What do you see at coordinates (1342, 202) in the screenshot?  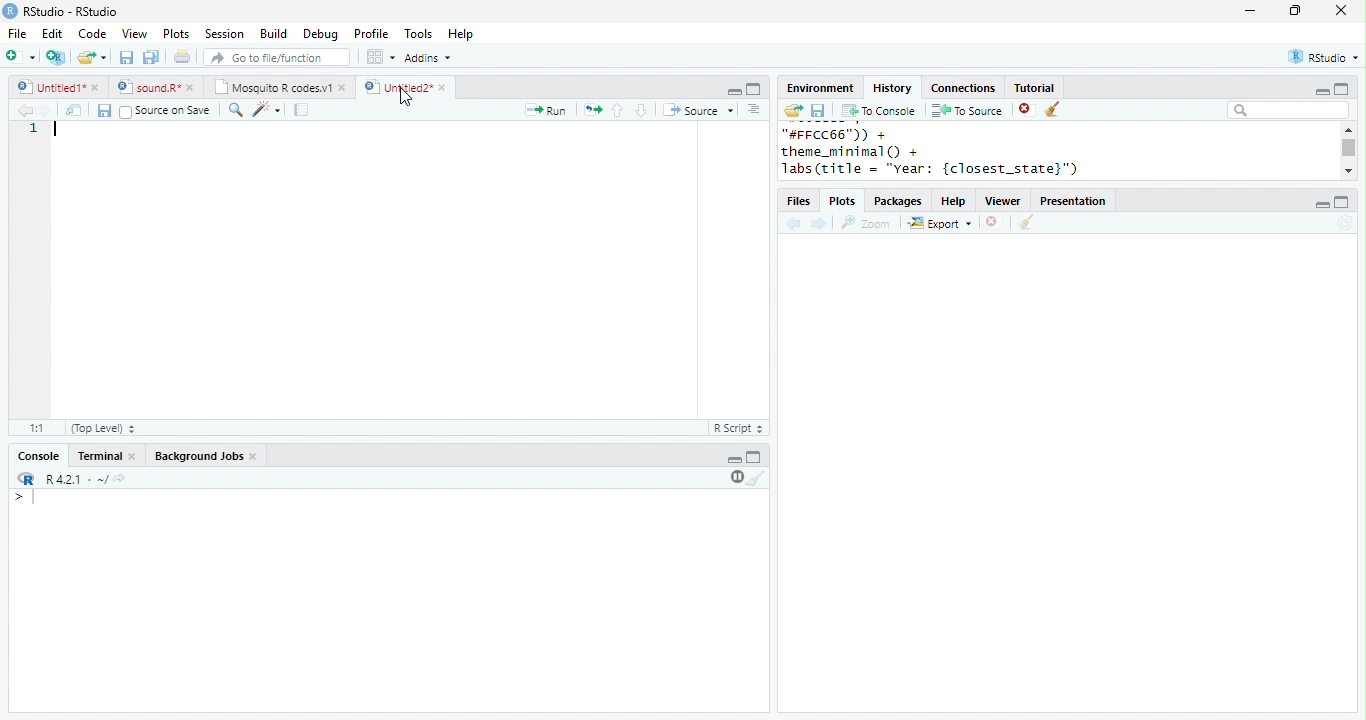 I see `maximize` at bounding box center [1342, 202].